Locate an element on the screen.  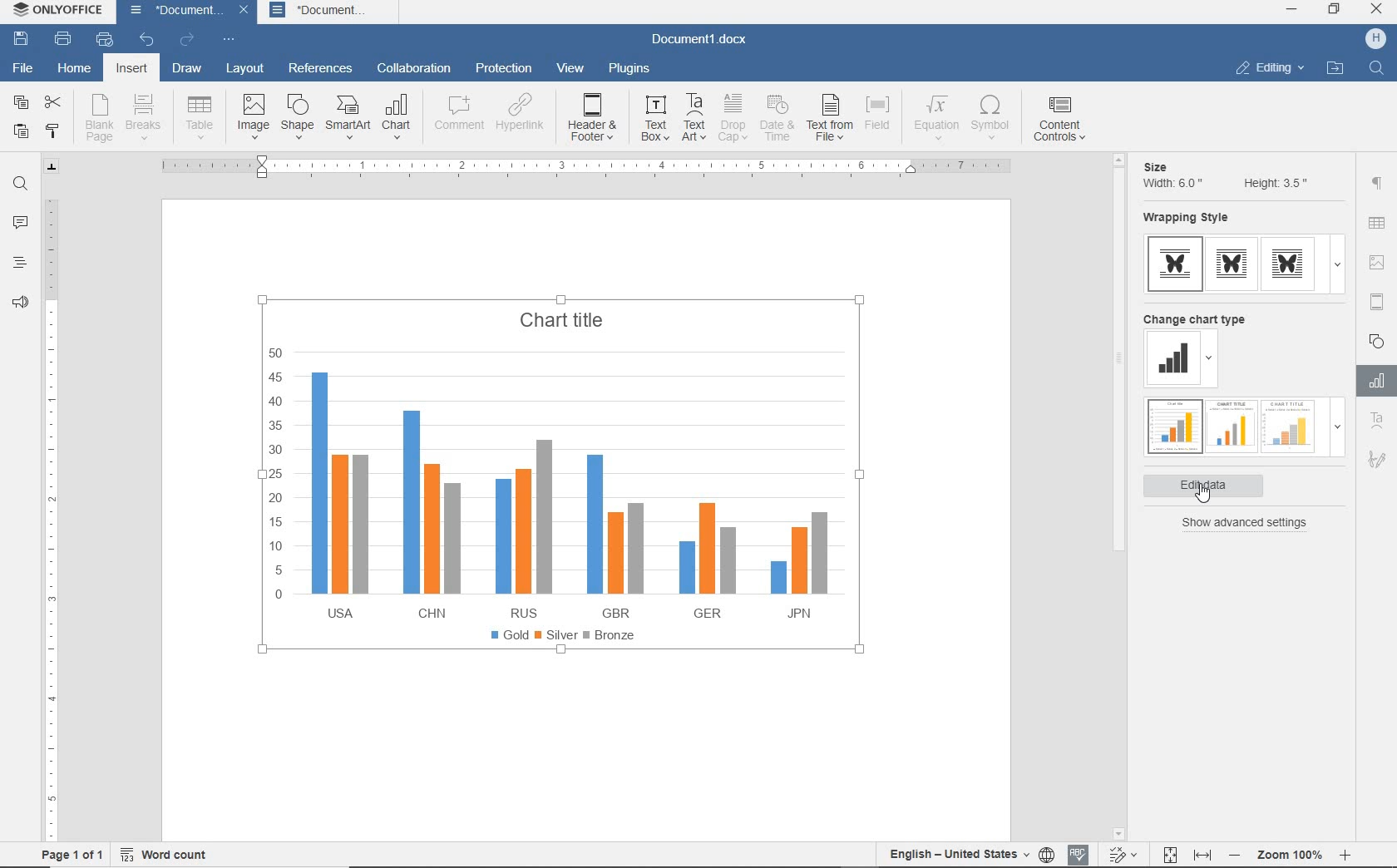
close is located at coordinates (246, 12).